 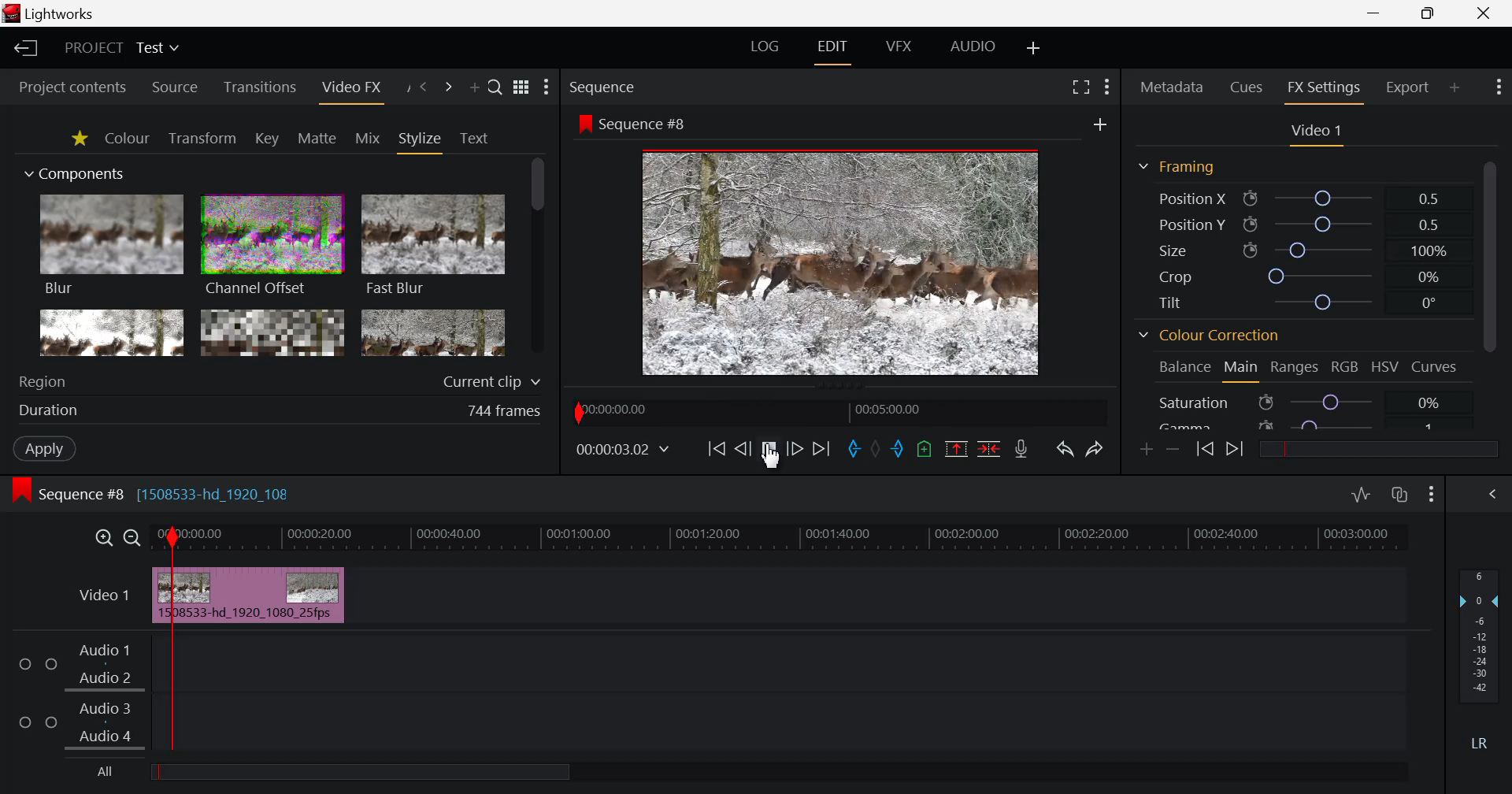 What do you see at coordinates (1299, 275) in the screenshot?
I see `Crop` at bounding box center [1299, 275].